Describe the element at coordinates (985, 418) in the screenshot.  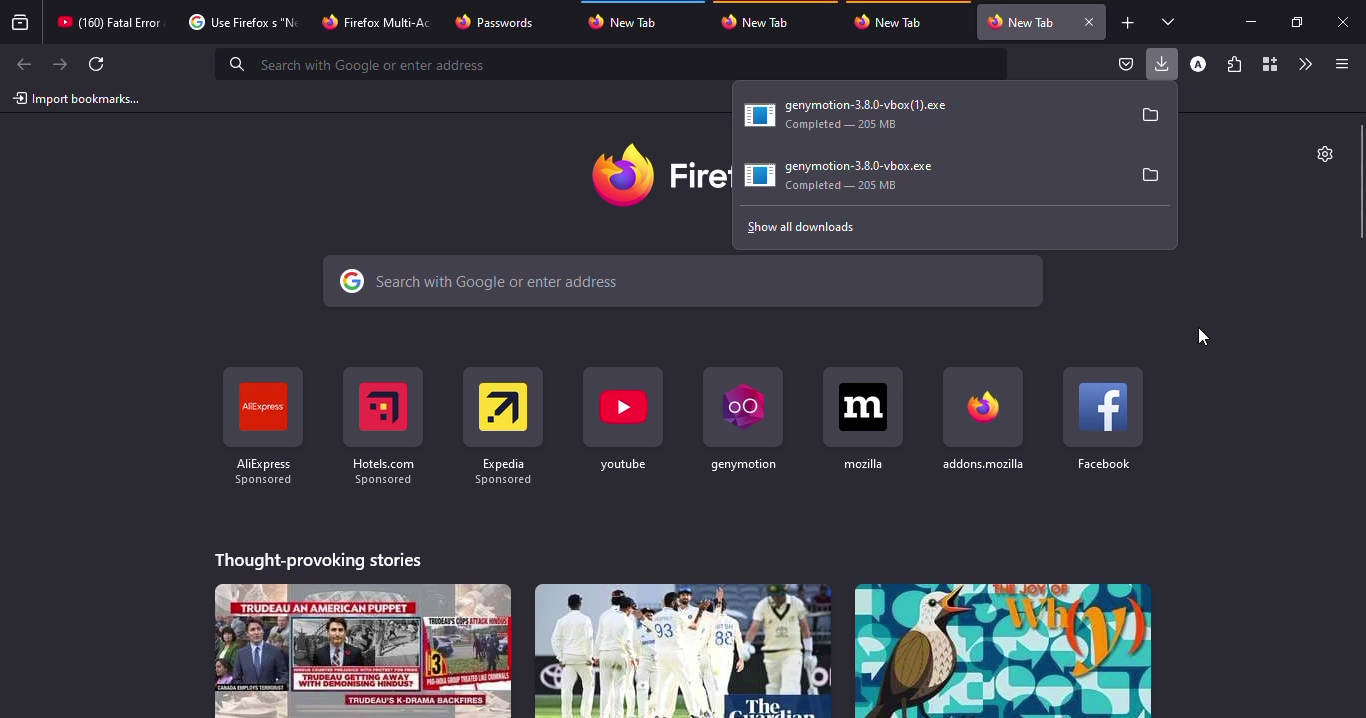
I see `shortcut` at that location.